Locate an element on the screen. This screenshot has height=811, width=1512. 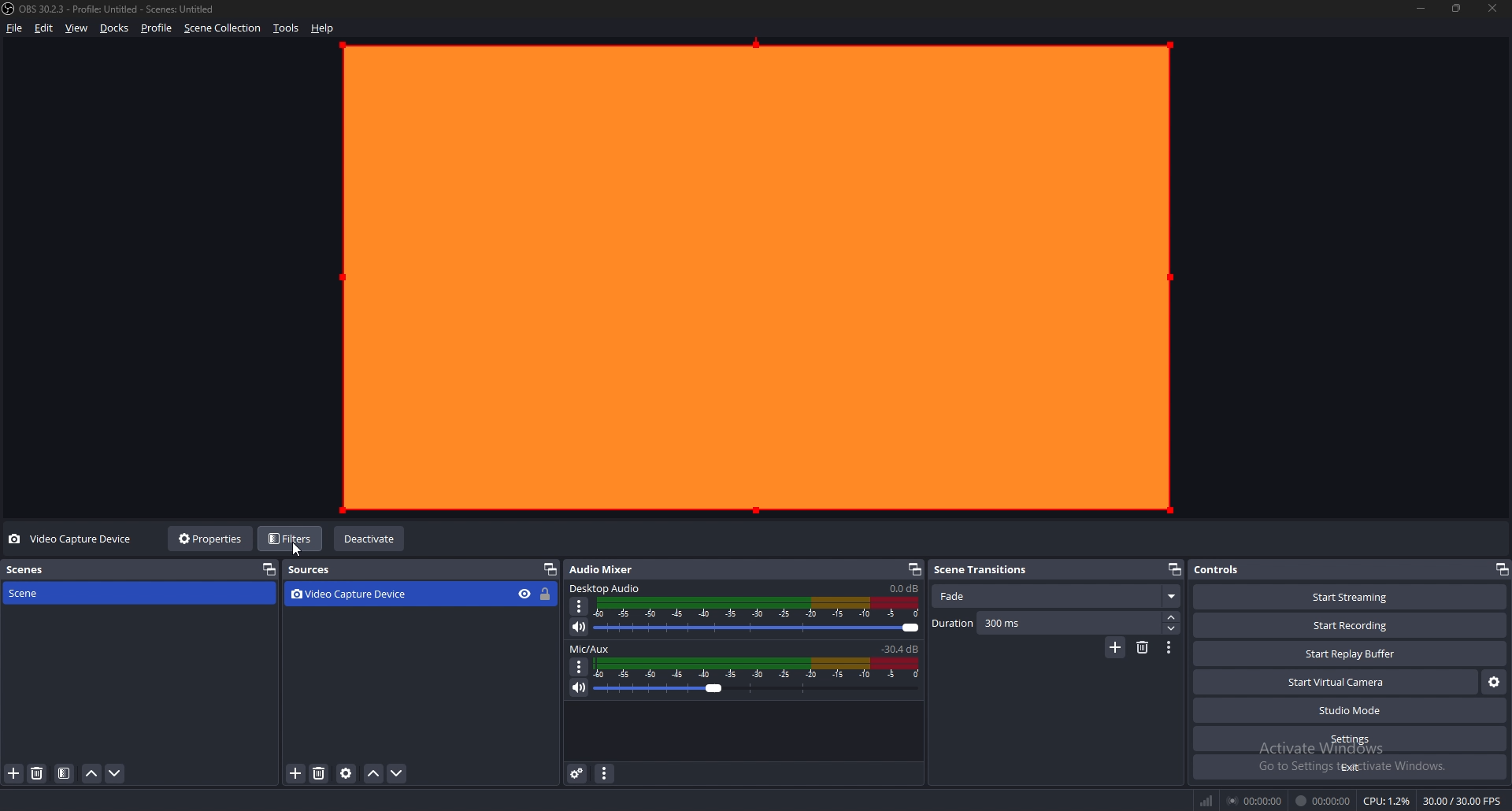
pop out is located at coordinates (268, 570).